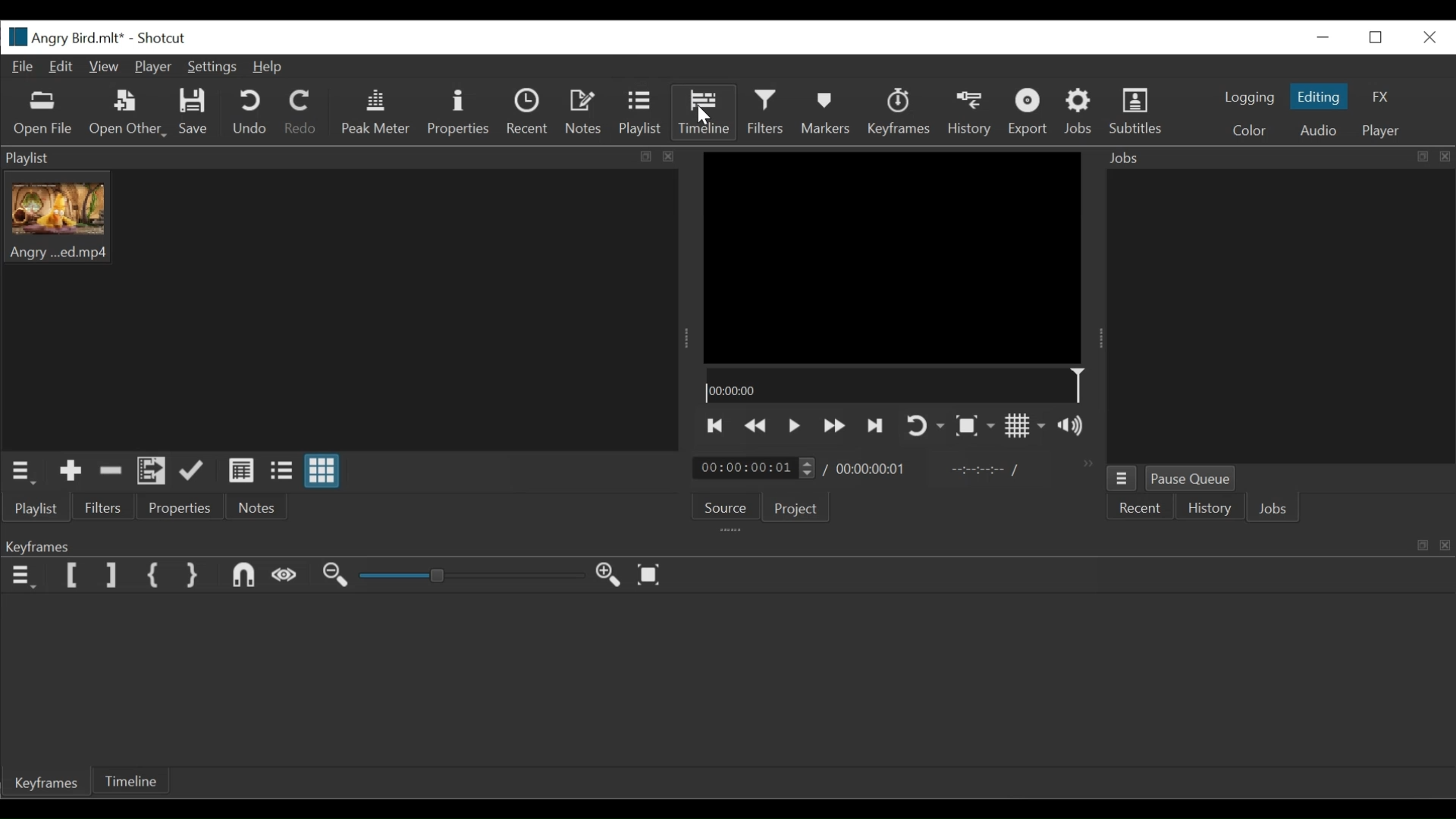  What do you see at coordinates (899, 387) in the screenshot?
I see `Timeline` at bounding box center [899, 387].